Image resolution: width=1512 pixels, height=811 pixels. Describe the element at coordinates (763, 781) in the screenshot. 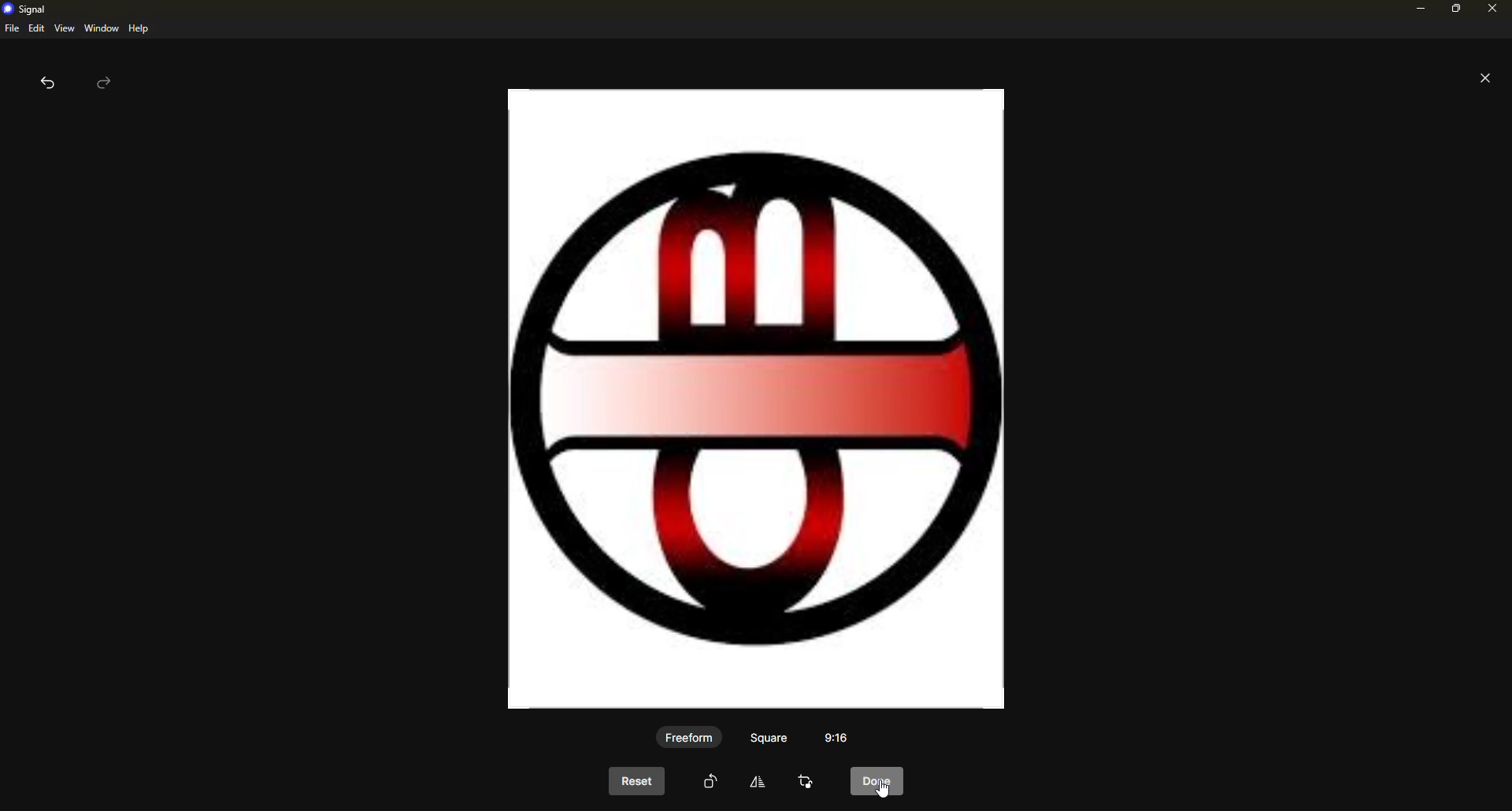

I see `edit` at that location.